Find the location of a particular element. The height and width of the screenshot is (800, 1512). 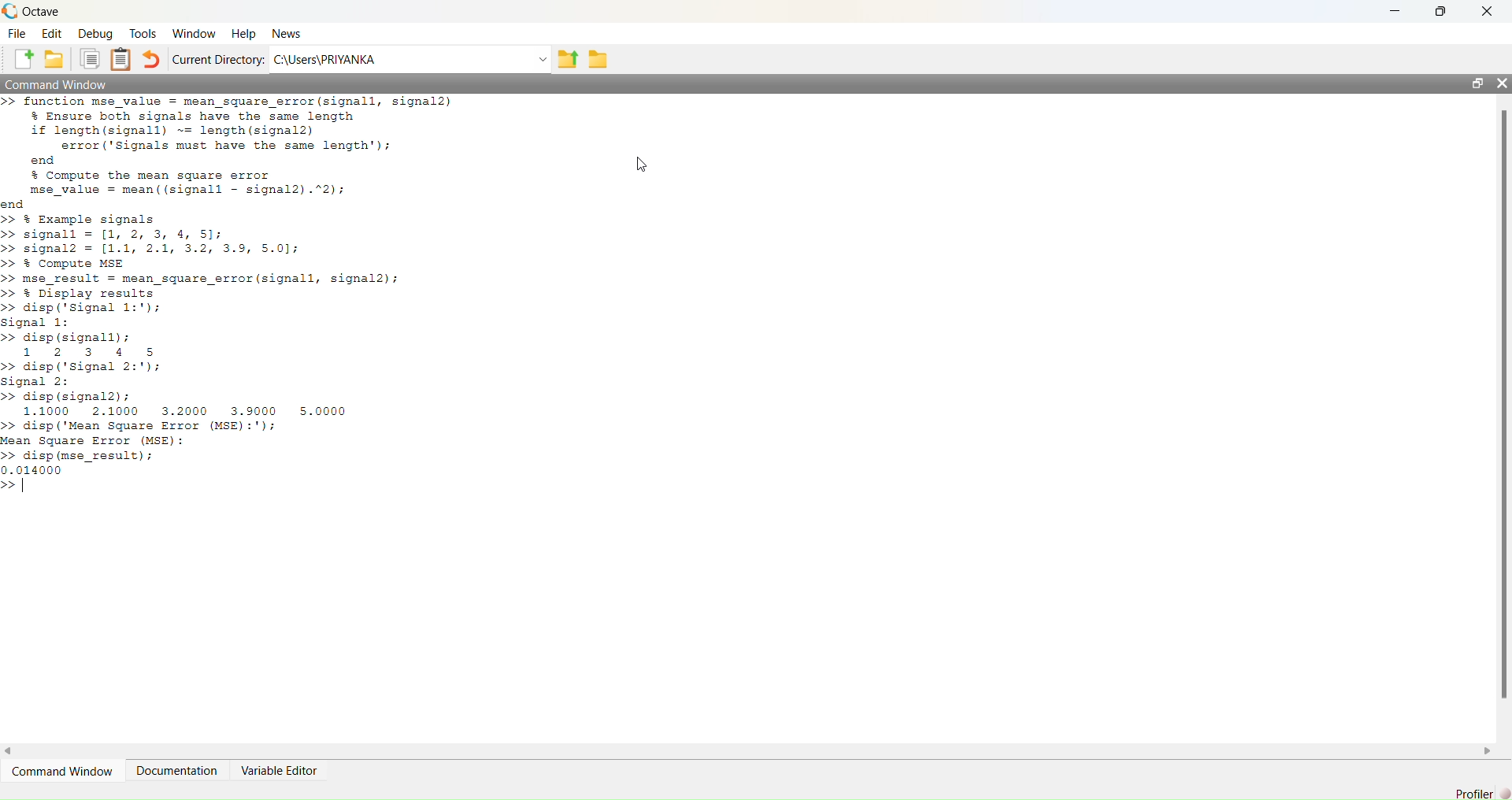

Current Directory: is located at coordinates (217, 61).